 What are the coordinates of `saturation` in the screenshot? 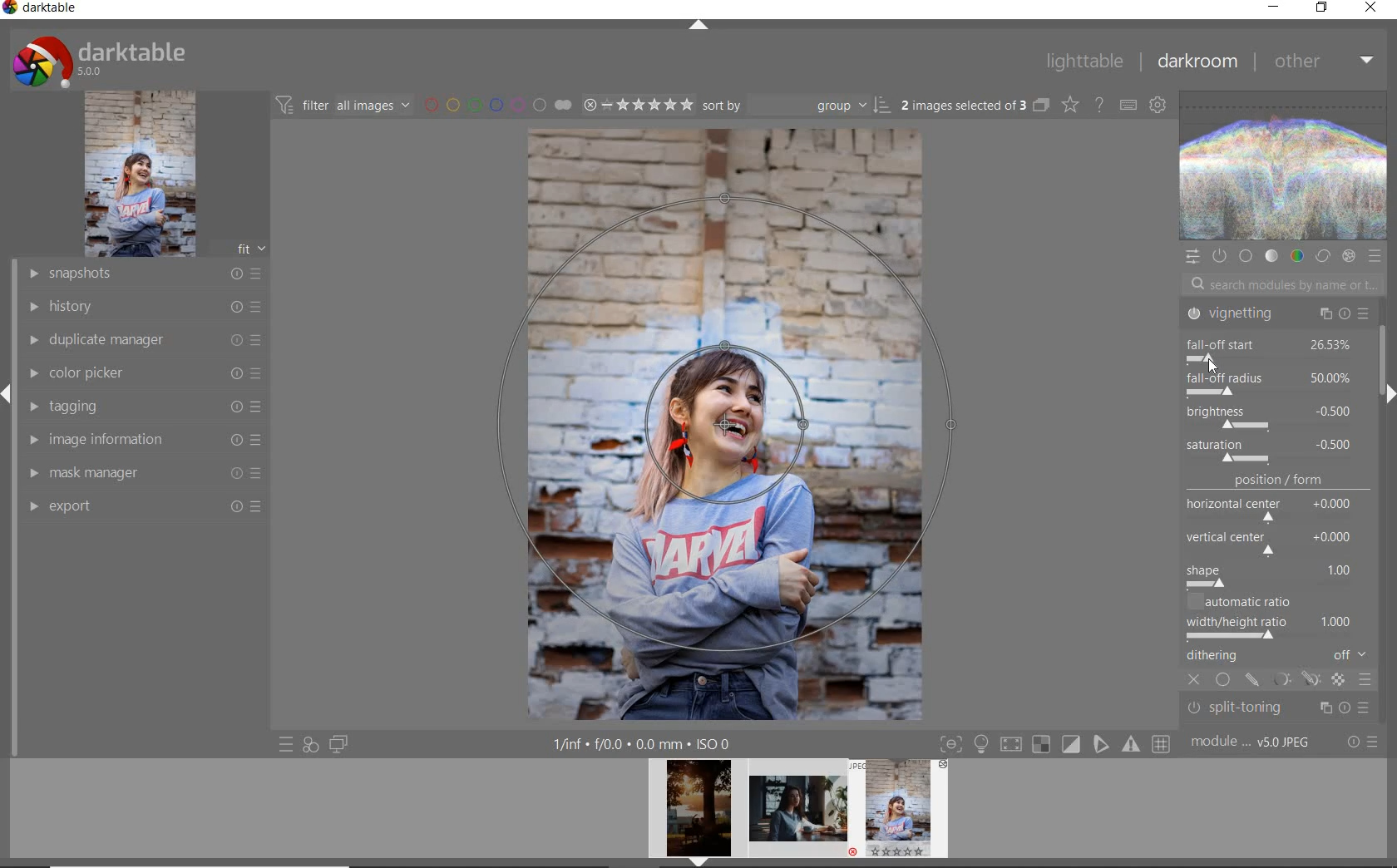 It's located at (1272, 451).